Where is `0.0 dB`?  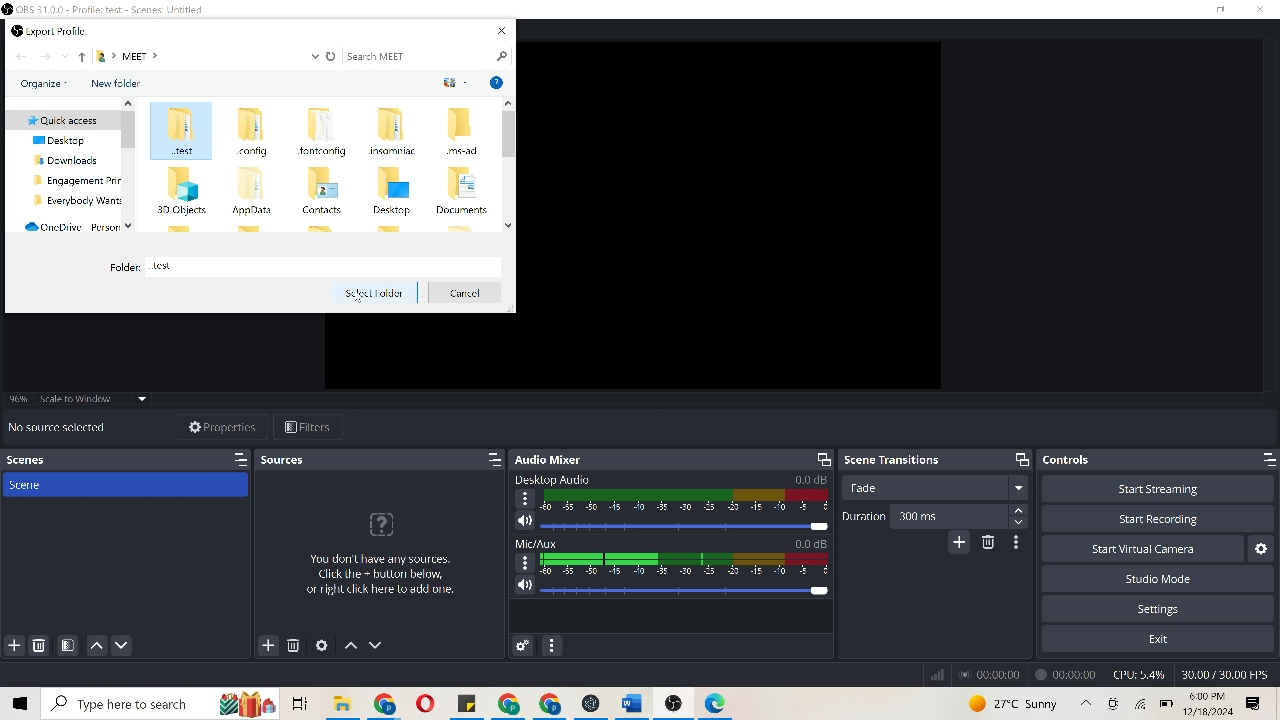
0.0 dB is located at coordinates (809, 478).